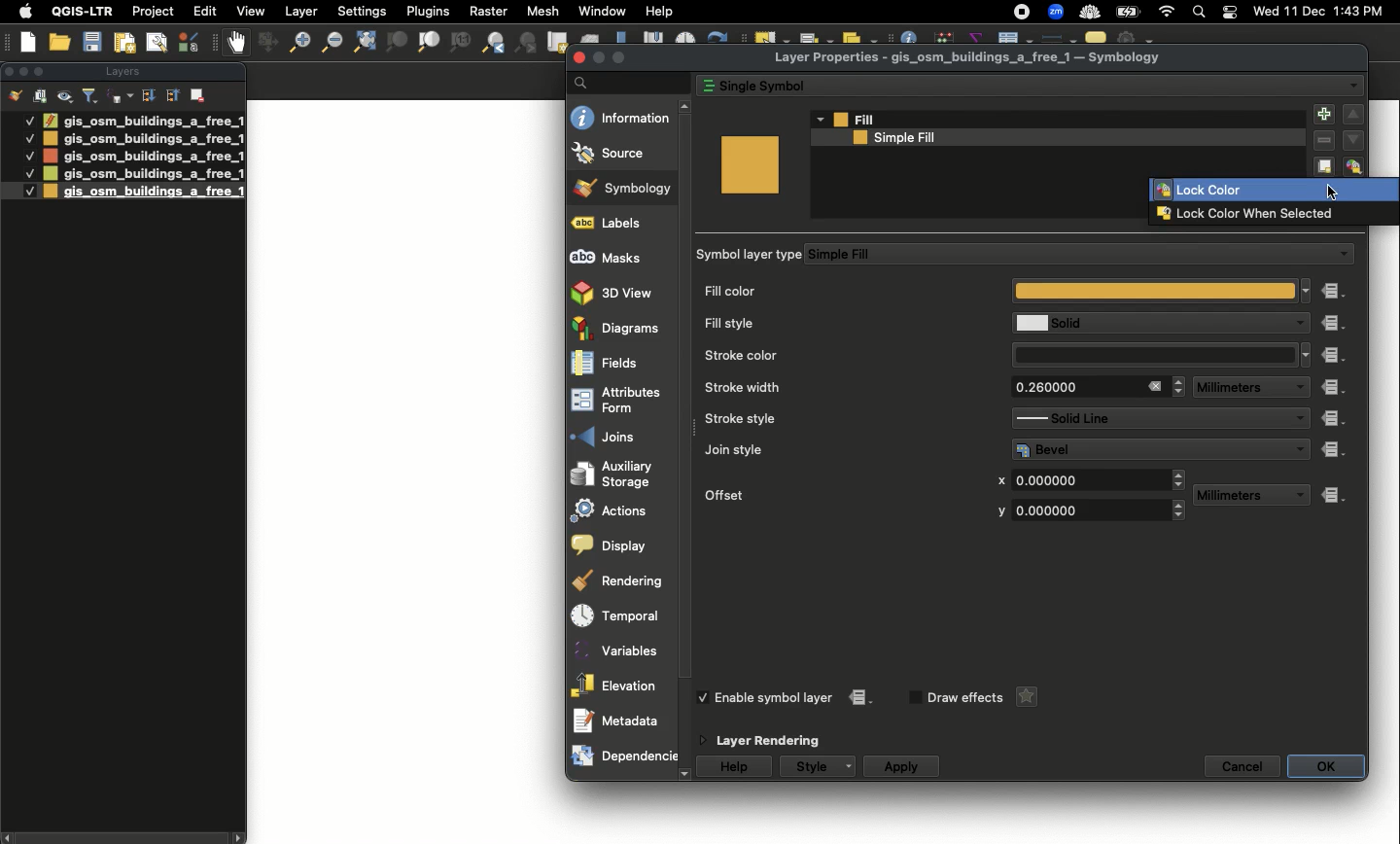 This screenshot has height=844, width=1400. I want to click on Rendering, so click(616, 580).